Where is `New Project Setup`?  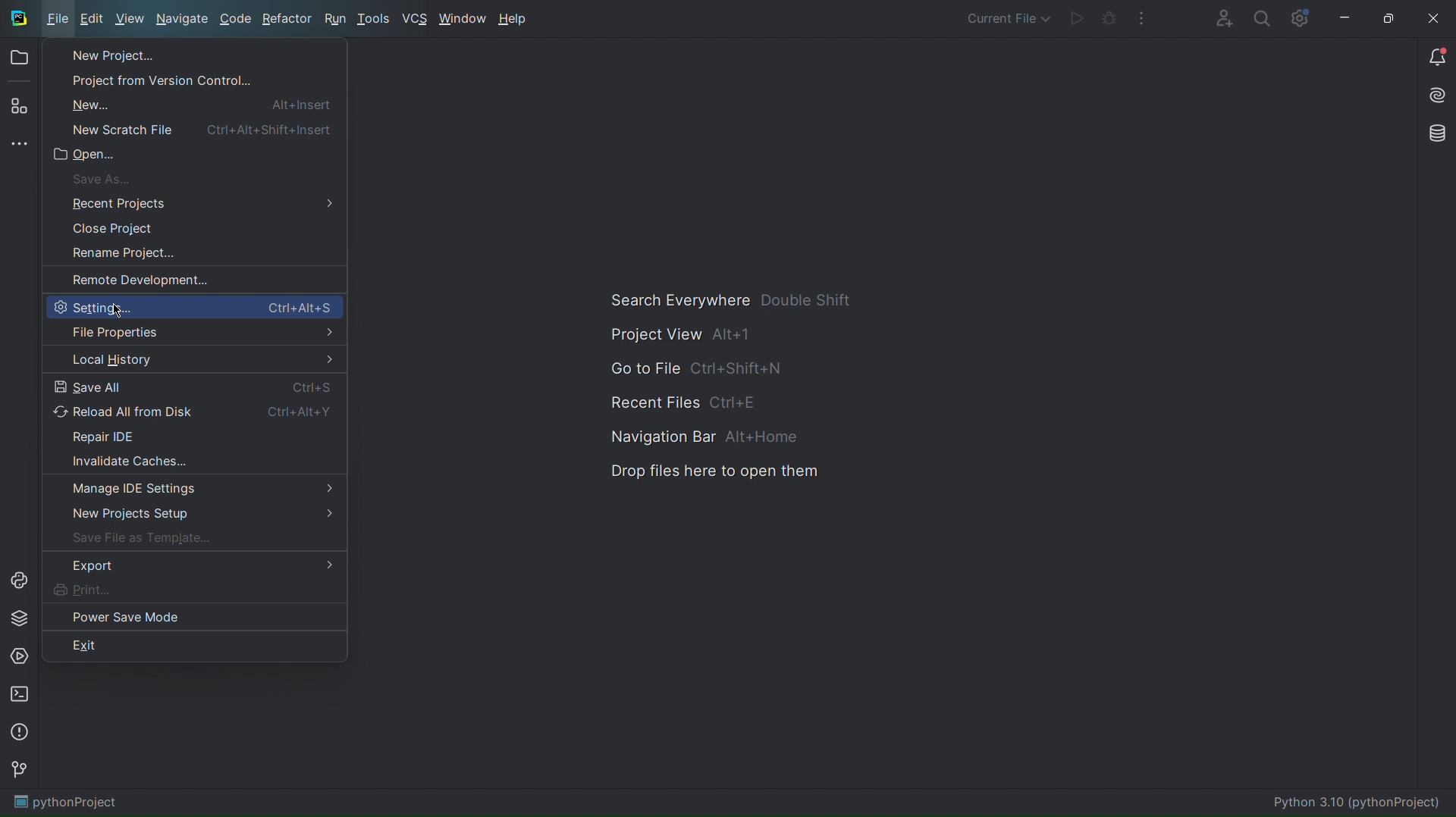 New Project Setup is located at coordinates (184, 516).